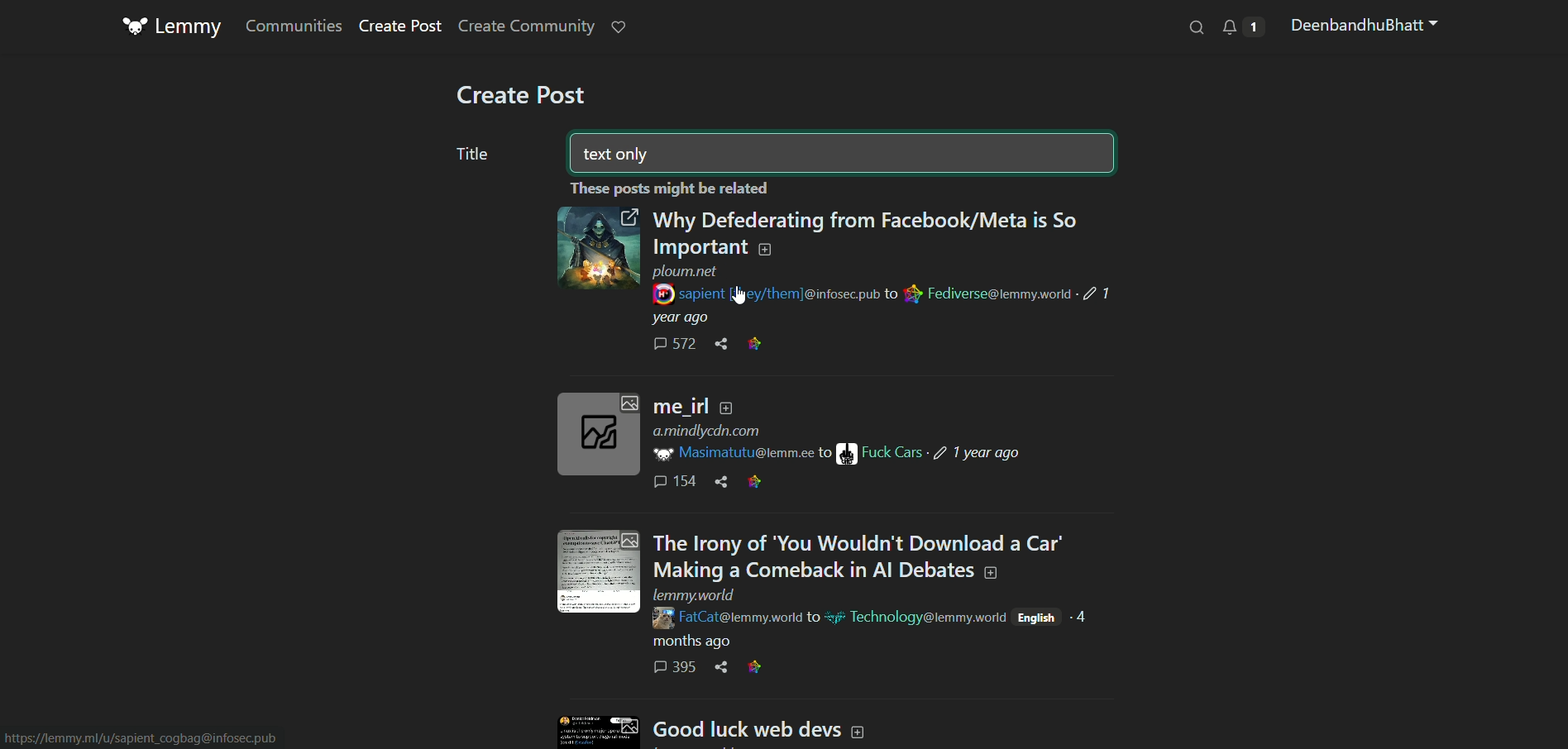  Describe the element at coordinates (670, 188) in the screenshot. I see `Text` at that location.